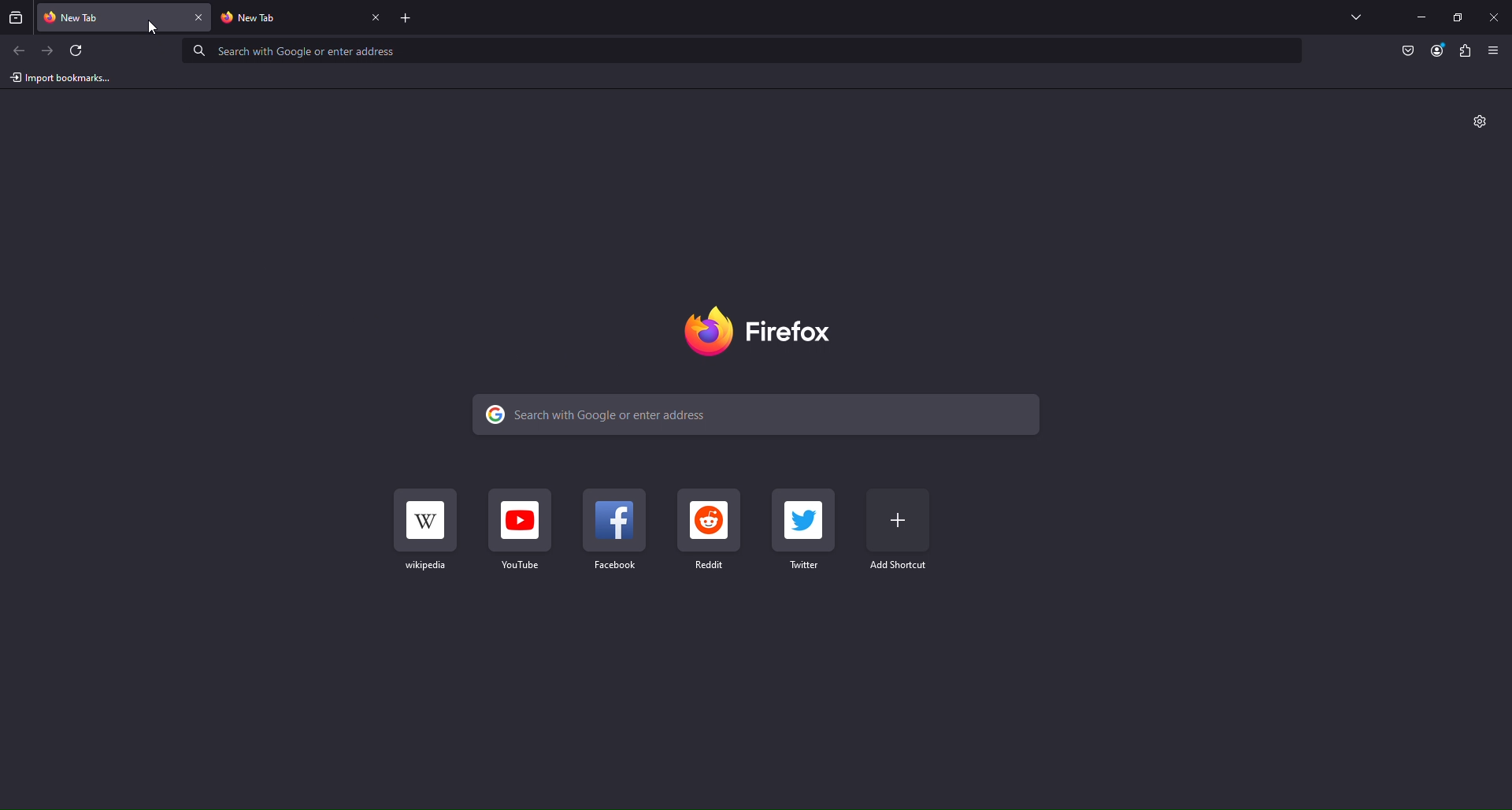 The height and width of the screenshot is (810, 1512). What do you see at coordinates (1410, 51) in the screenshot?
I see `Pocket` at bounding box center [1410, 51].